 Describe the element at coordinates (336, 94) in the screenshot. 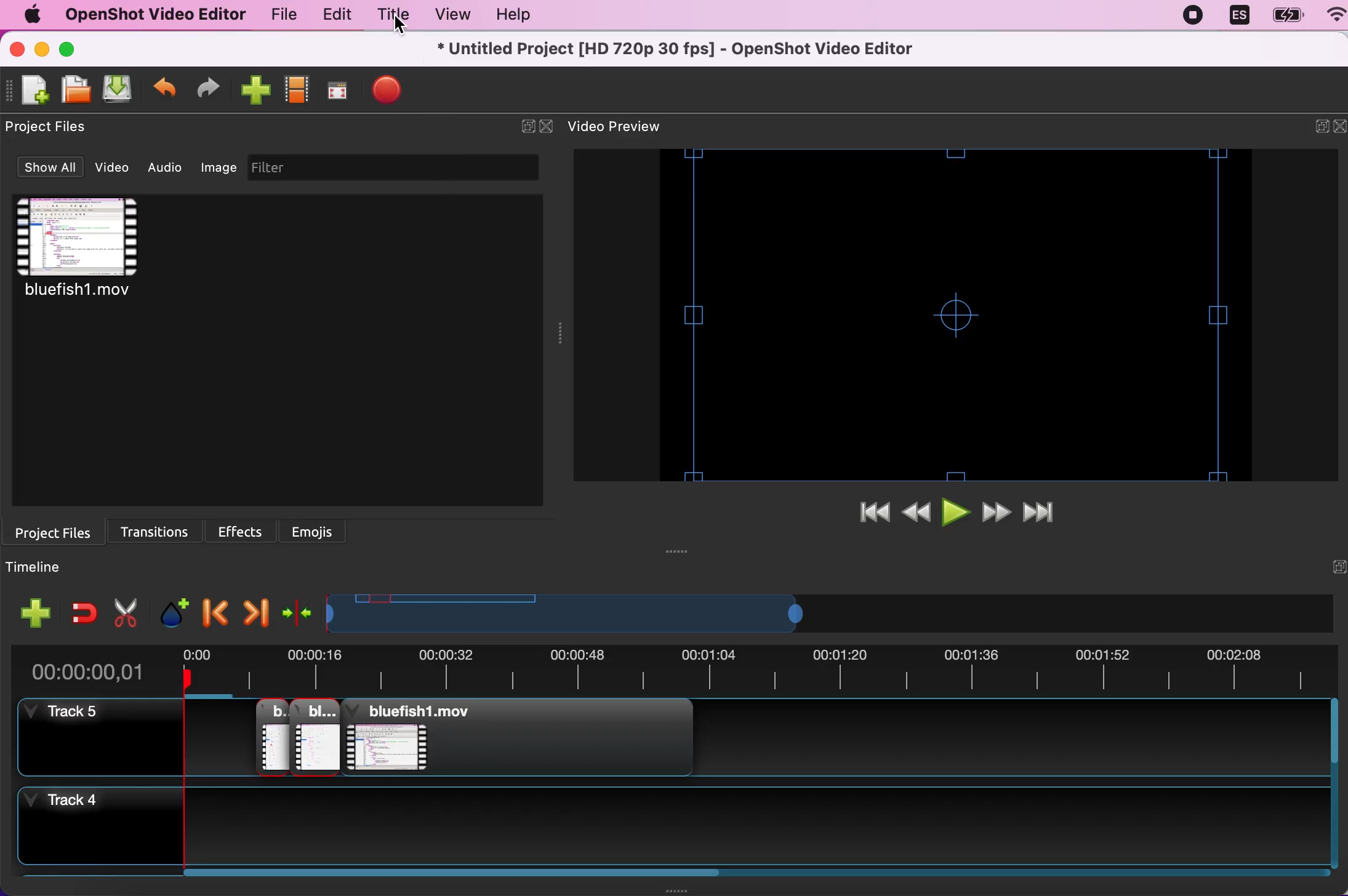

I see `full screen` at that location.